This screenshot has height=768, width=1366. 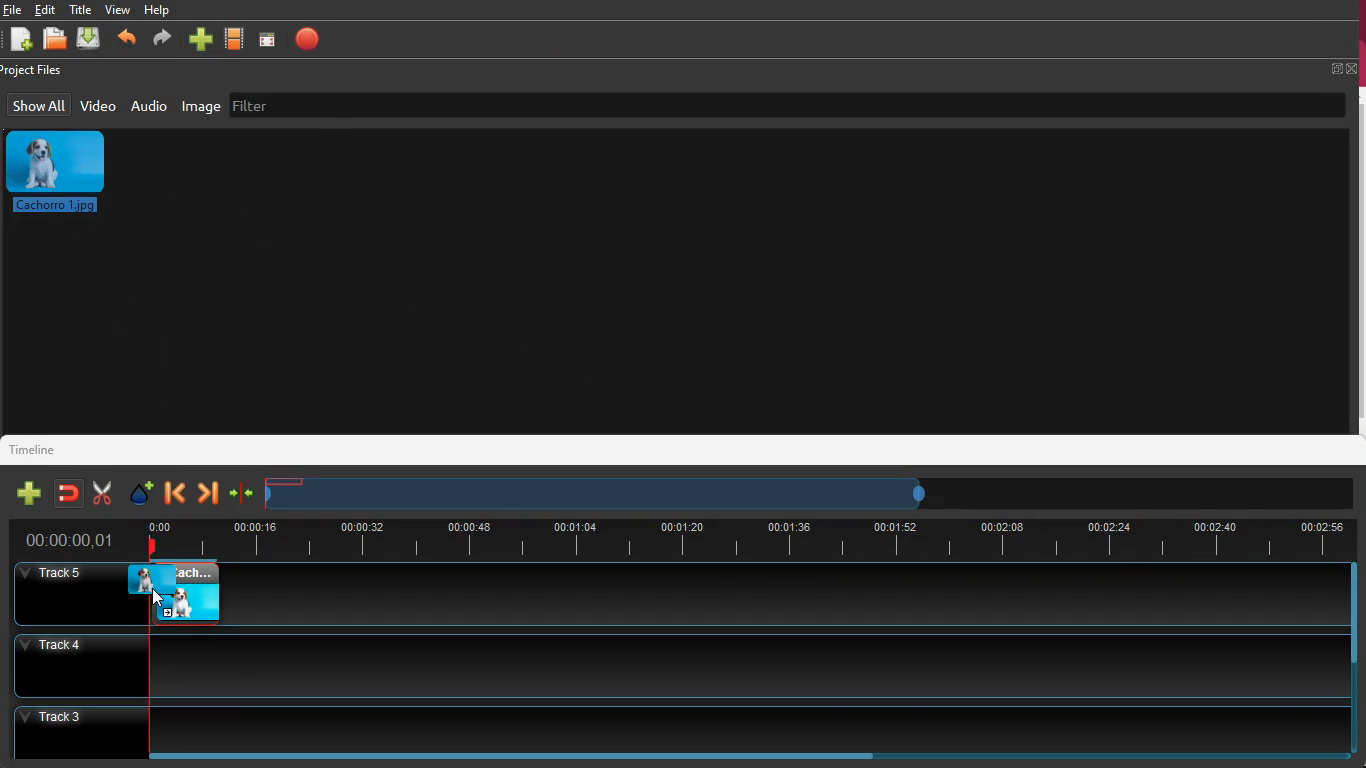 I want to click on back, so click(x=129, y=38).